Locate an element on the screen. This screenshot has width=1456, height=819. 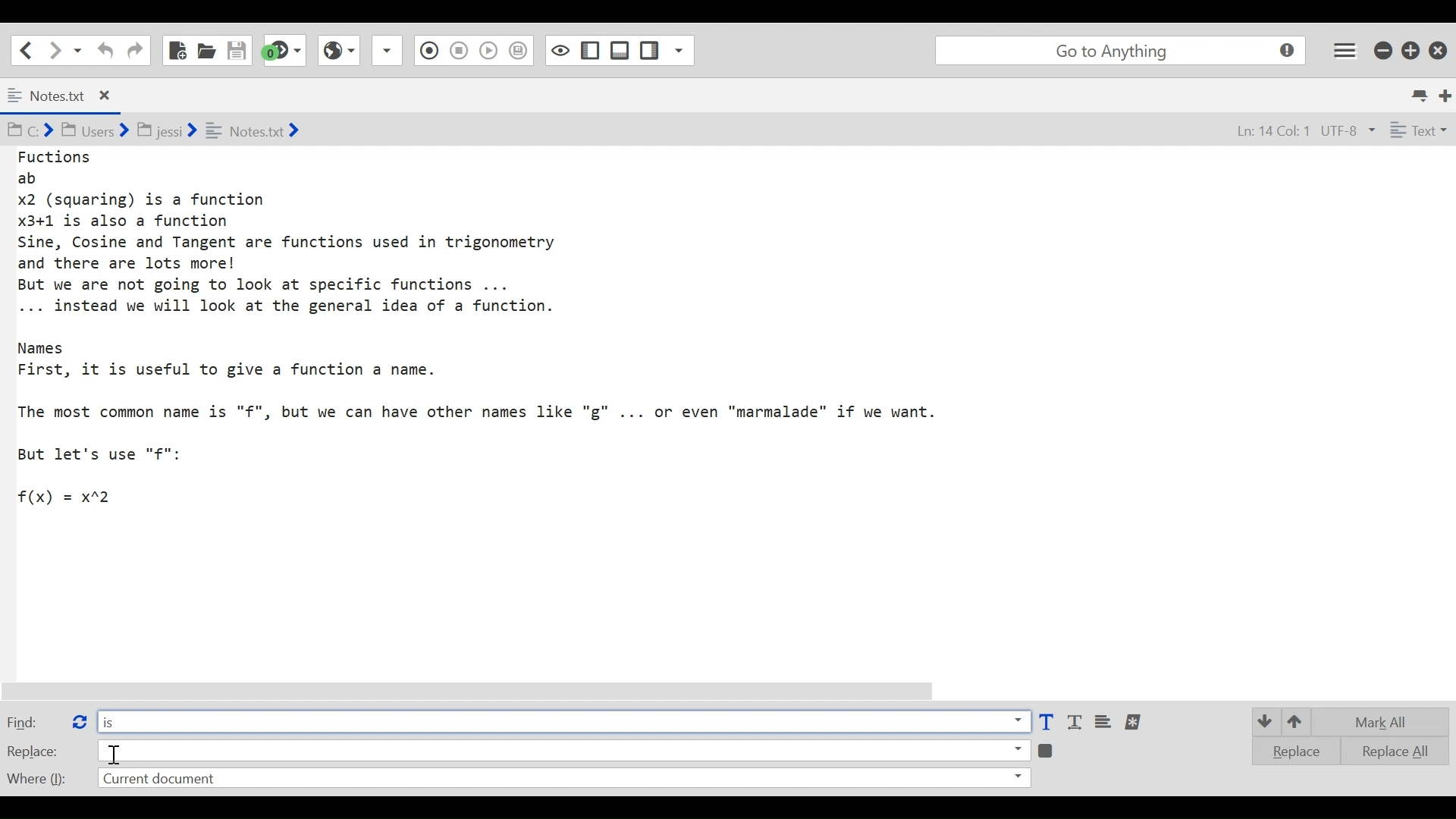
Go back one location is located at coordinates (22, 49).